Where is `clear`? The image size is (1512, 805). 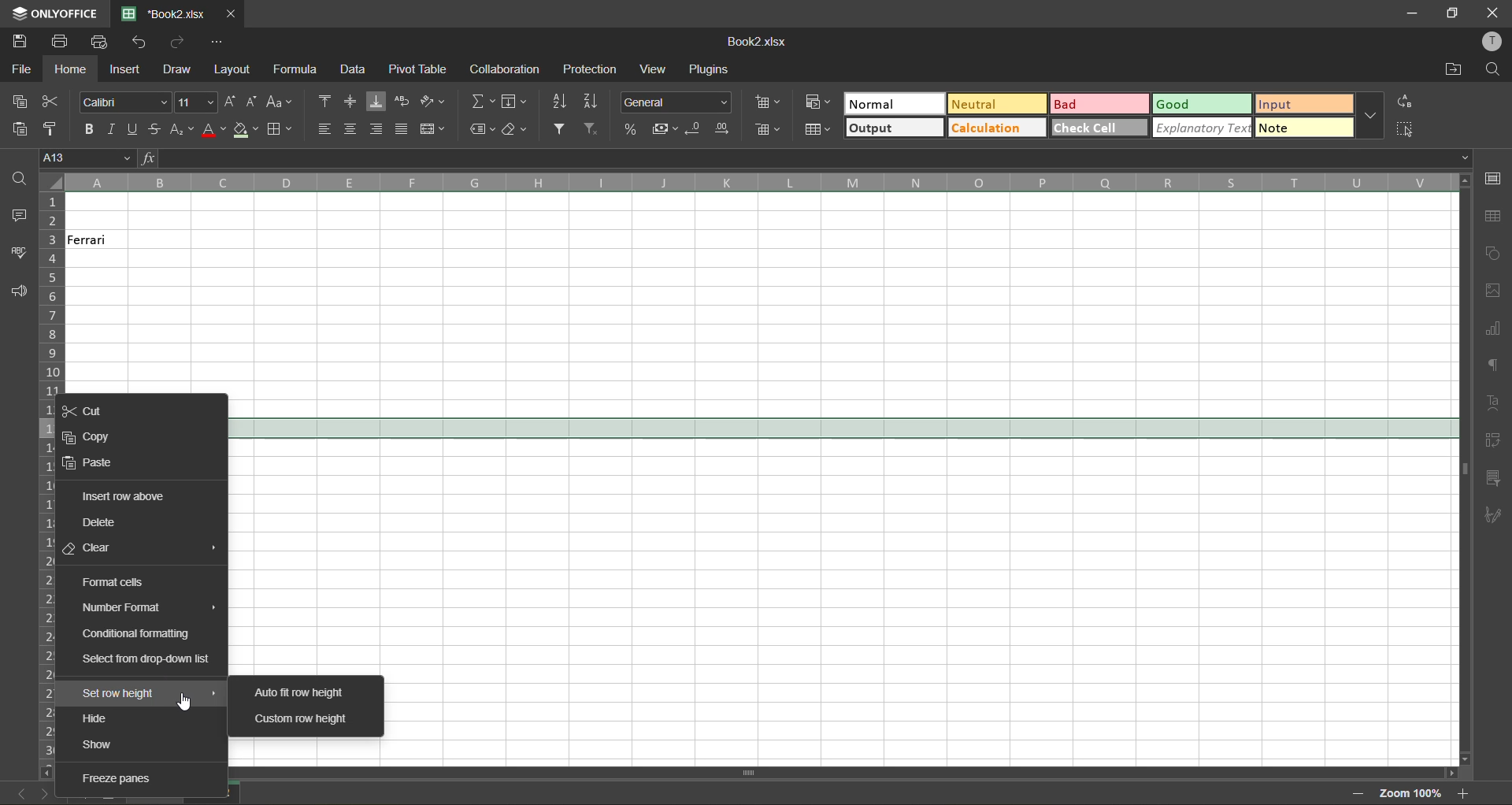 clear is located at coordinates (520, 131).